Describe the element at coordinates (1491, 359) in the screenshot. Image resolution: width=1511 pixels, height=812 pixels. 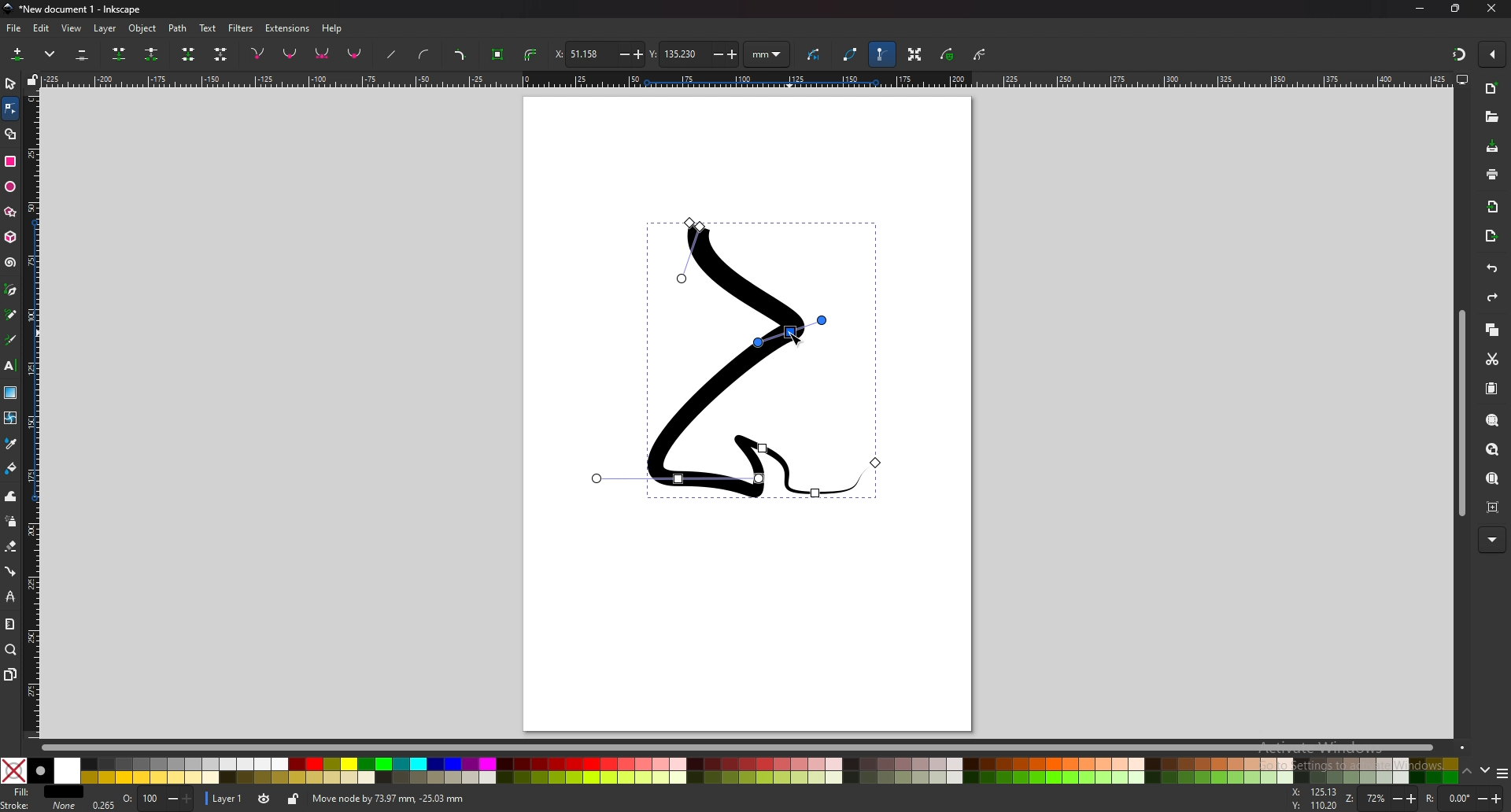
I see `cut` at that location.